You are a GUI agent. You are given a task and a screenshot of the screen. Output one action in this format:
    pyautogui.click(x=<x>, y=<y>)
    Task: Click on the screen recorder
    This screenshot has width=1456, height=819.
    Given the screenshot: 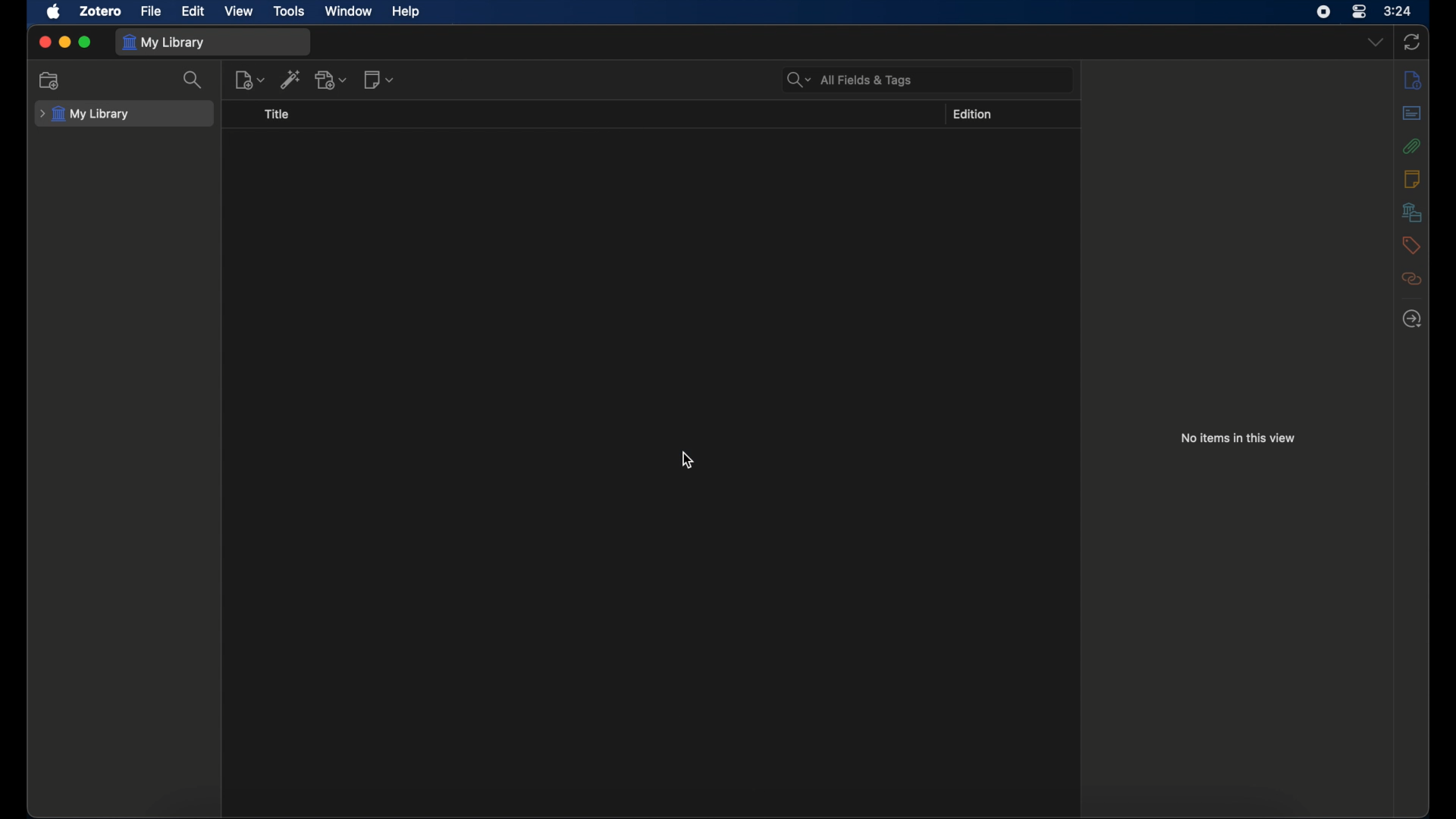 What is the action you would take?
    pyautogui.click(x=1323, y=12)
    